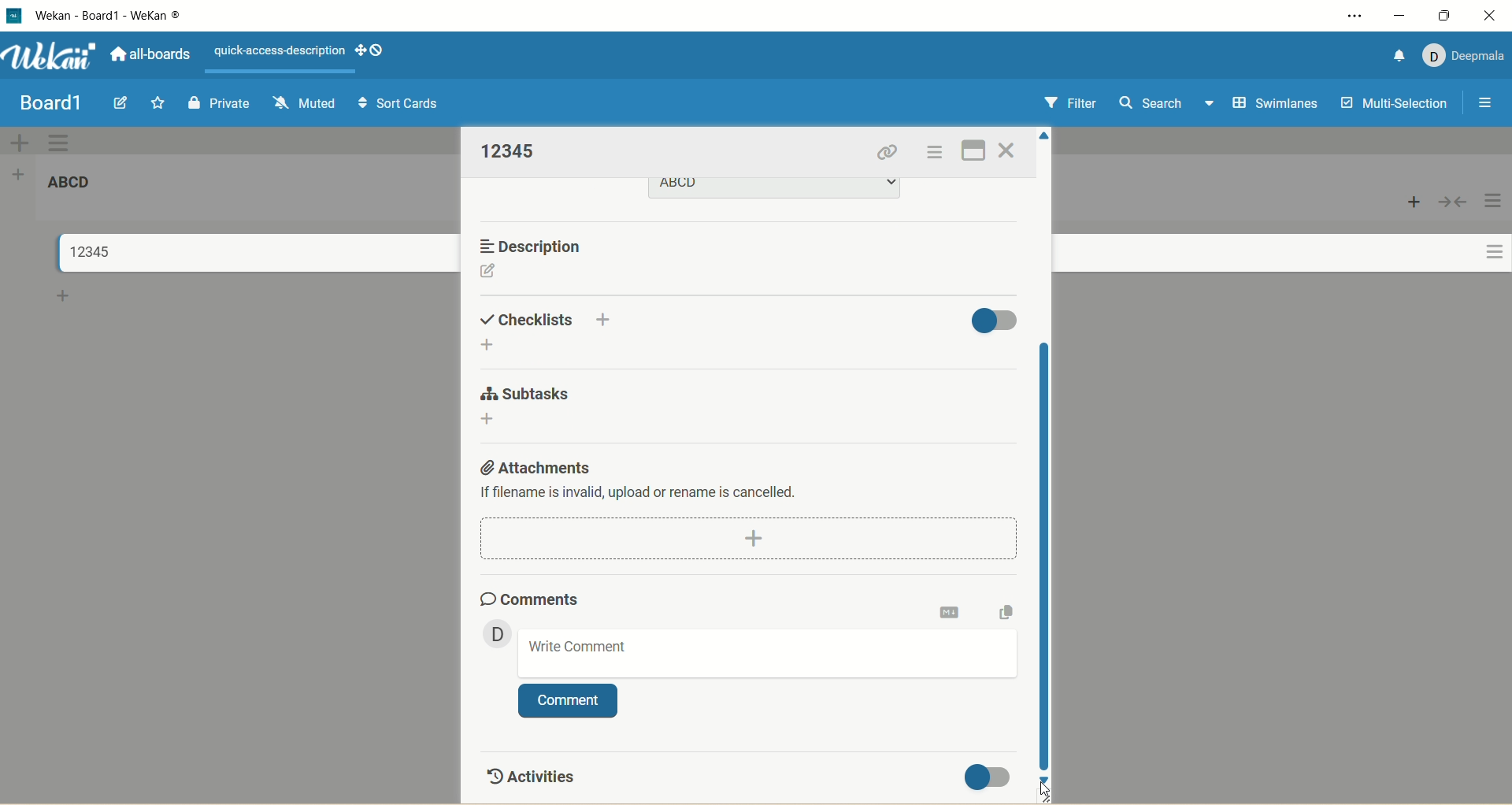 Image resolution: width=1512 pixels, height=805 pixels. What do you see at coordinates (13, 17) in the screenshot?
I see `logo` at bounding box center [13, 17].